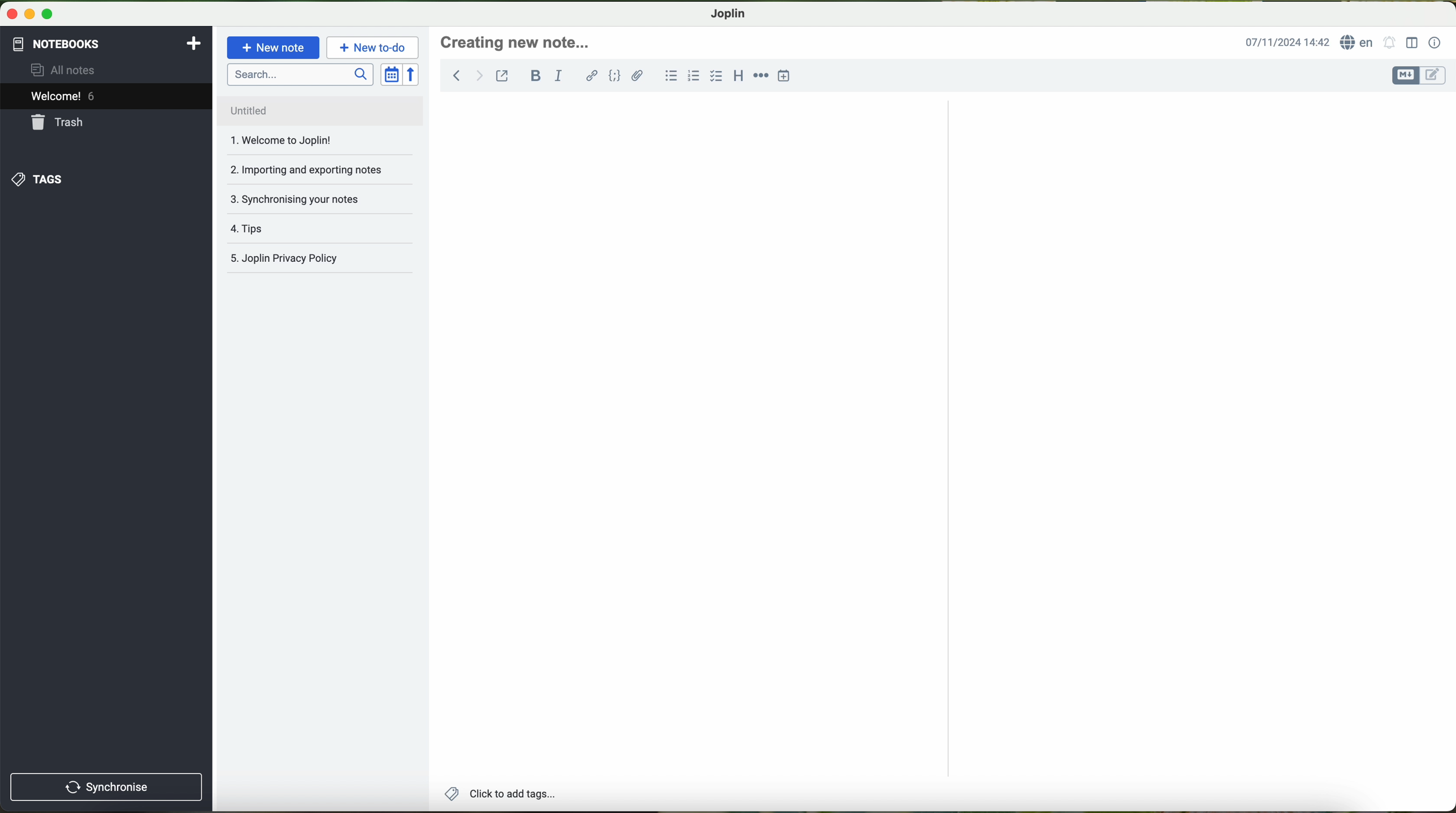  What do you see at coordinates (1389, 45) in the screenshot?
I see `set alarm` at bounding box center [1389, 45].